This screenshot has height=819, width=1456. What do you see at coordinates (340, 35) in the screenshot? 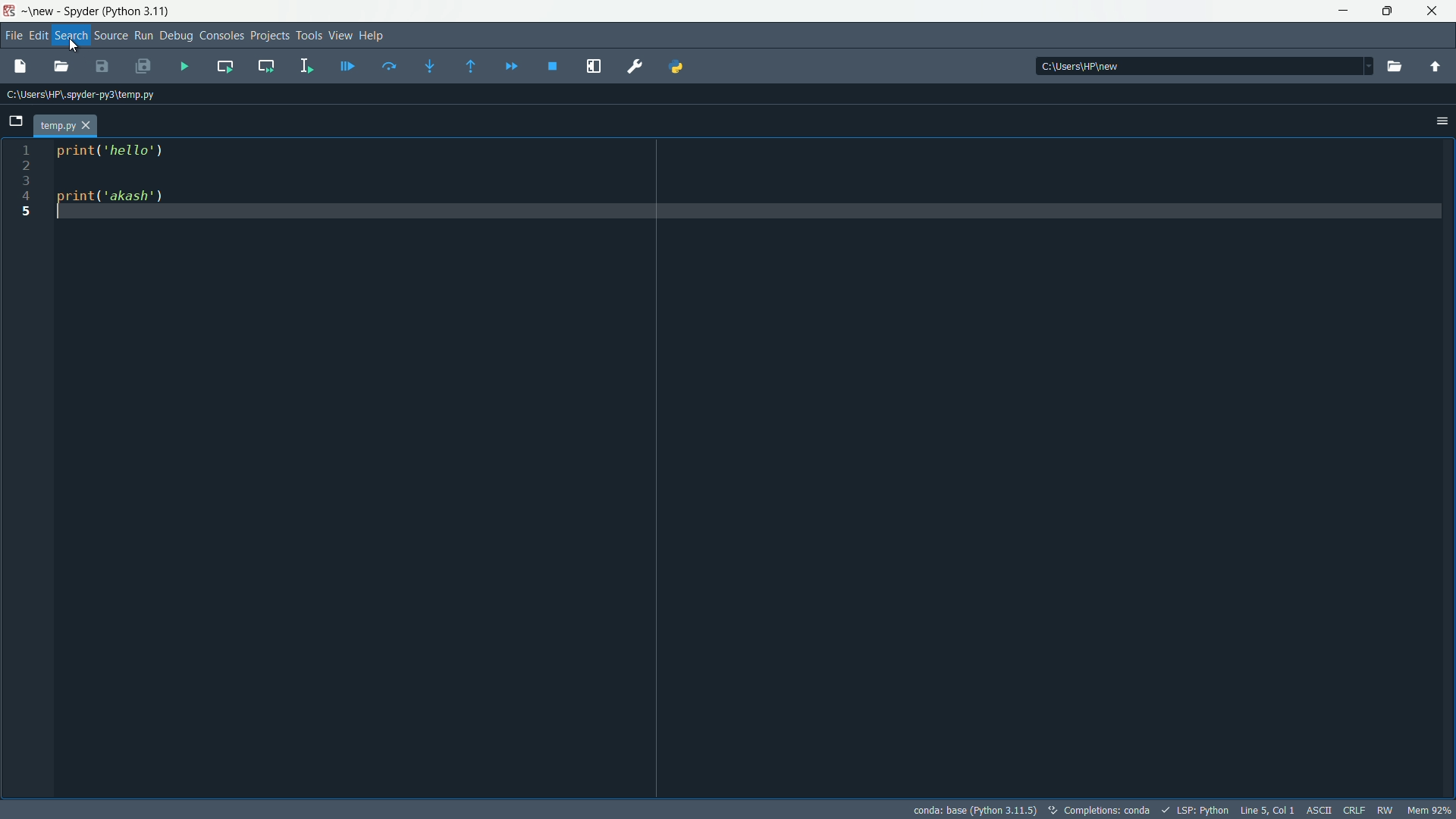
I see `View Menu` at bounding box center [340, 35].